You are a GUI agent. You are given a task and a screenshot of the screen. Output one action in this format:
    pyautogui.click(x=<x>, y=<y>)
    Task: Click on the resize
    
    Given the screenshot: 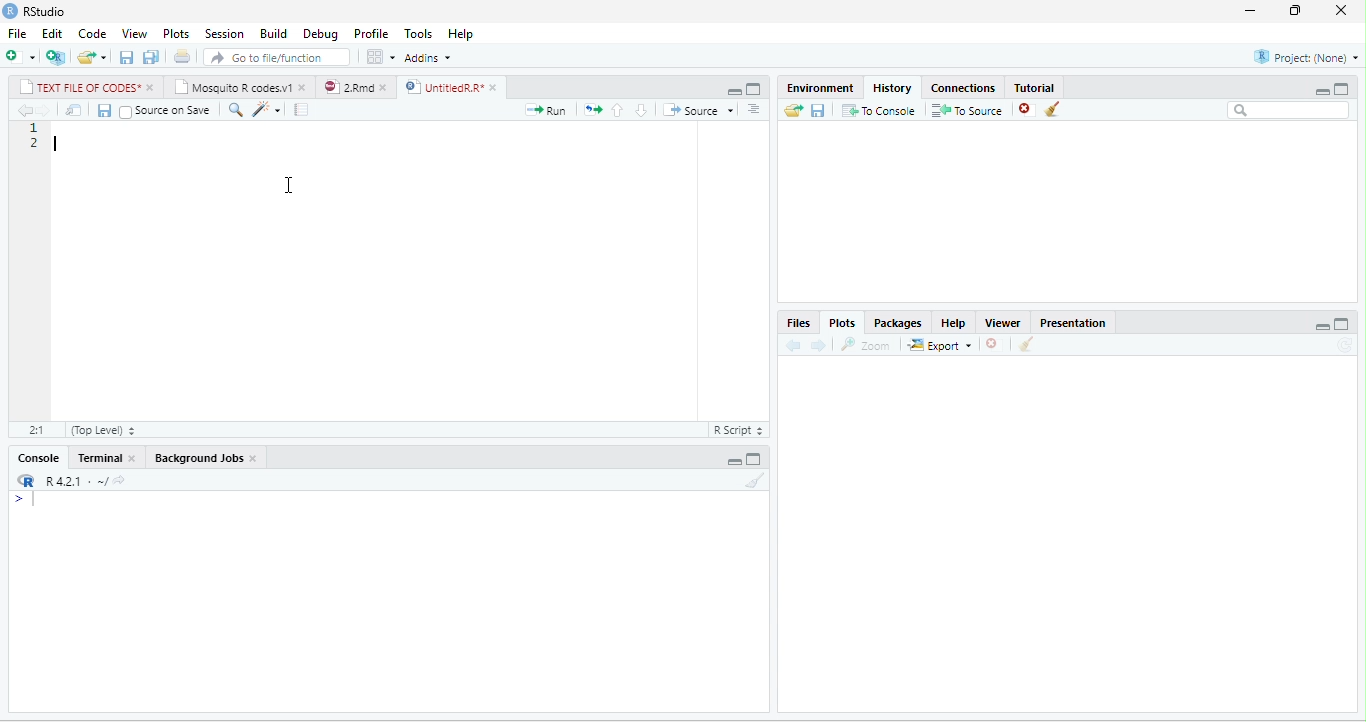 What is the action you would take?
    pyautogui.click(x=1292, y=11)
    